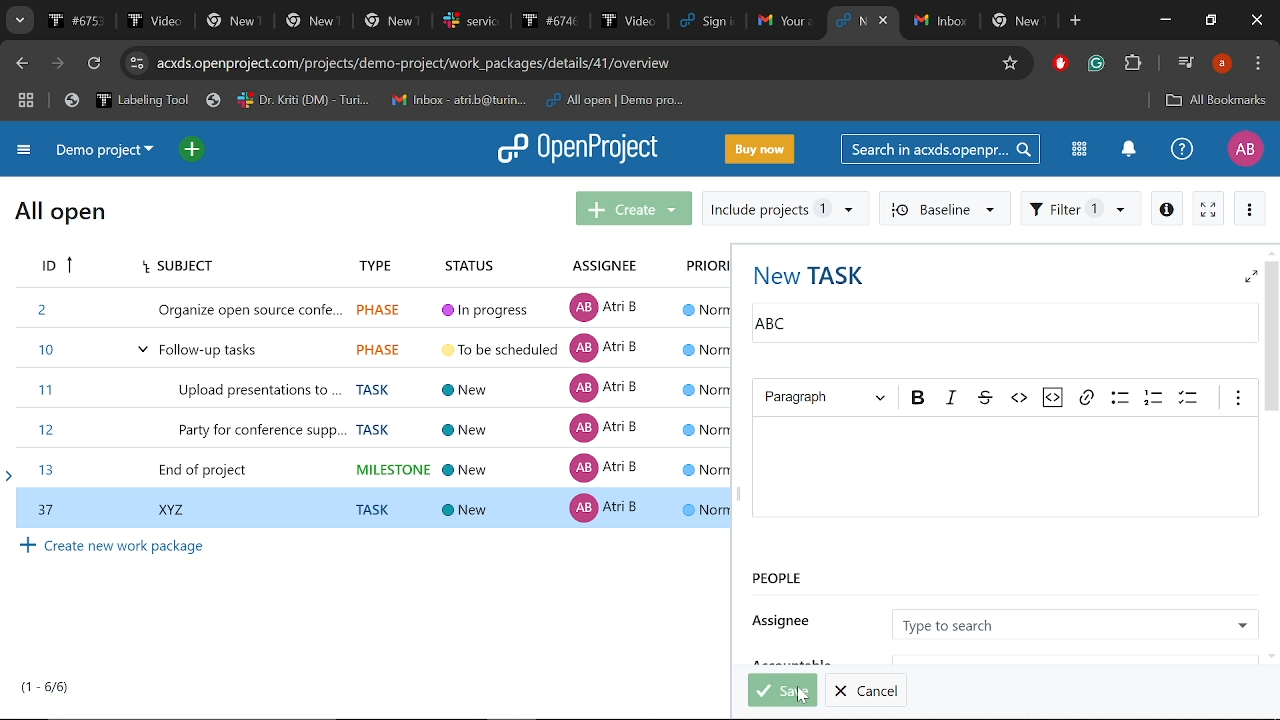 The image size is (1280, 720). What do you see at coordinates (369, 262) in the screenshot?
I see `Type` at bounding box center [369, 262].